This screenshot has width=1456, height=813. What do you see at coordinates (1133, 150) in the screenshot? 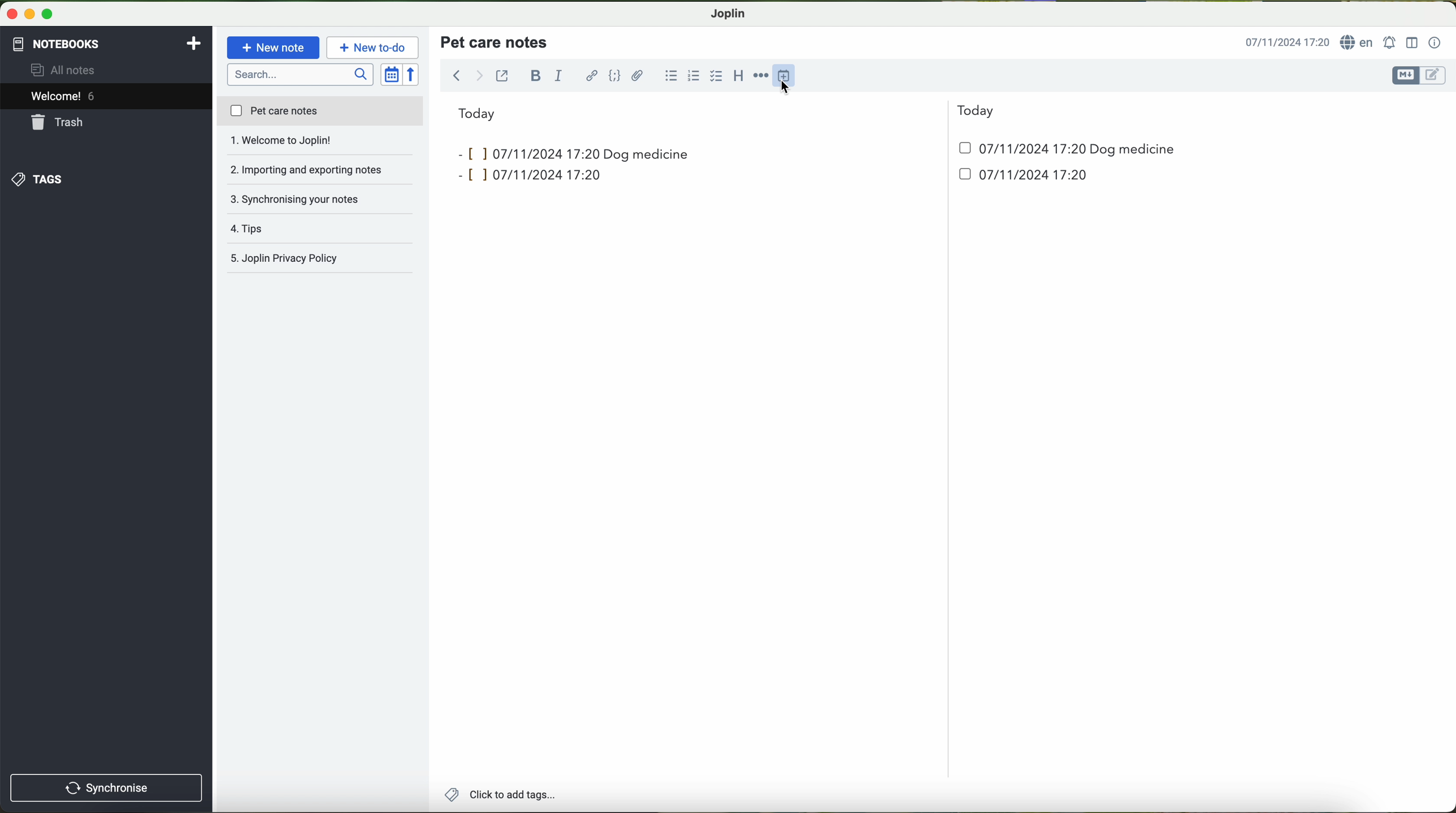
I see `dog medicine` at bounding box center [1133, 150].